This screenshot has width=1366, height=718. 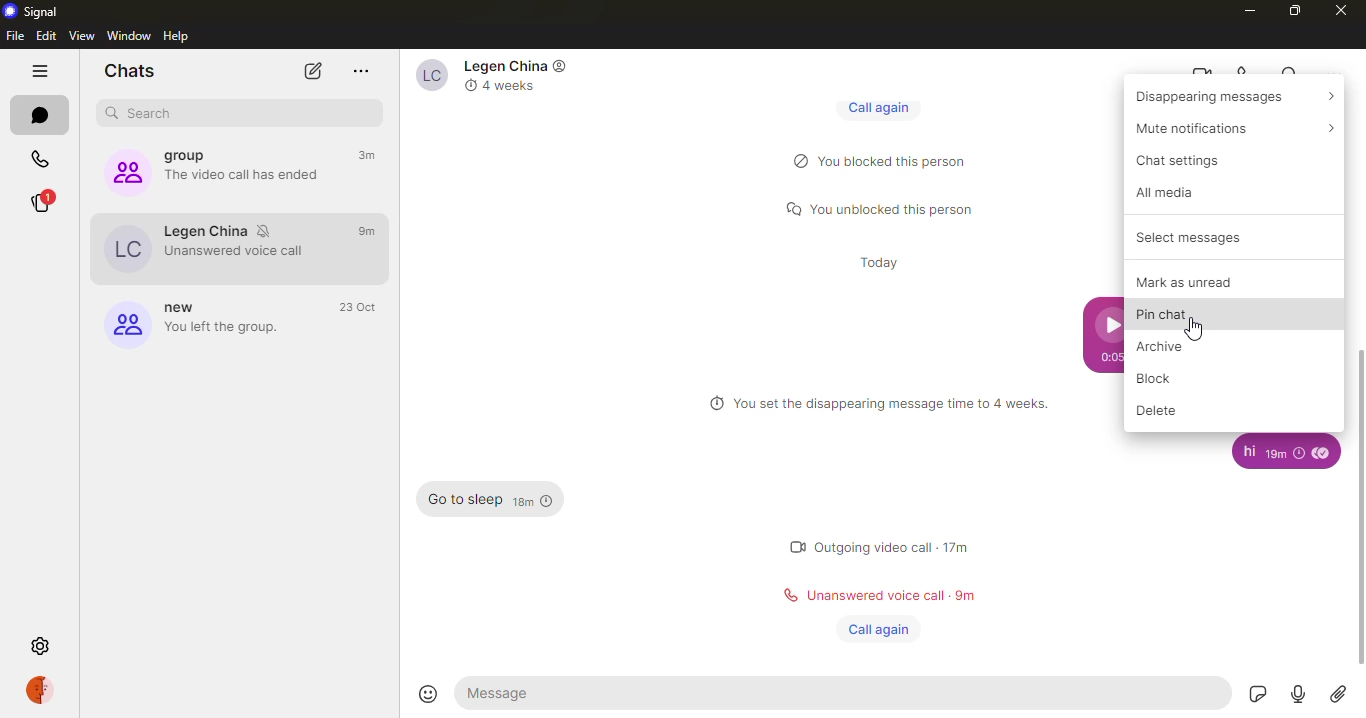 I want to click on group, so click(x=212, y=168).